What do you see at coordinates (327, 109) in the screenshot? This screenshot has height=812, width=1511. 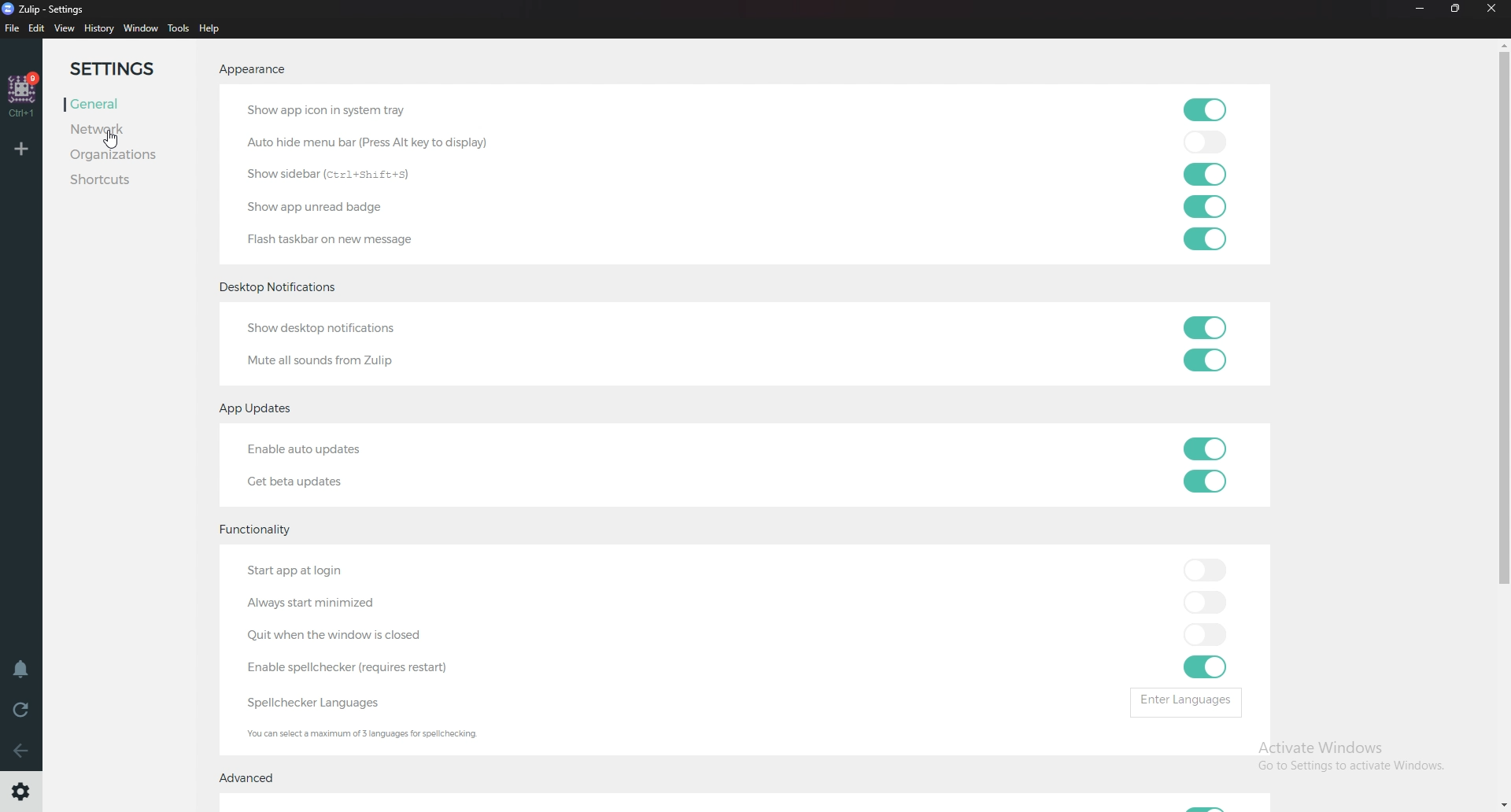 I see `Show app icon in system tray` at bounding box center [327, 109].